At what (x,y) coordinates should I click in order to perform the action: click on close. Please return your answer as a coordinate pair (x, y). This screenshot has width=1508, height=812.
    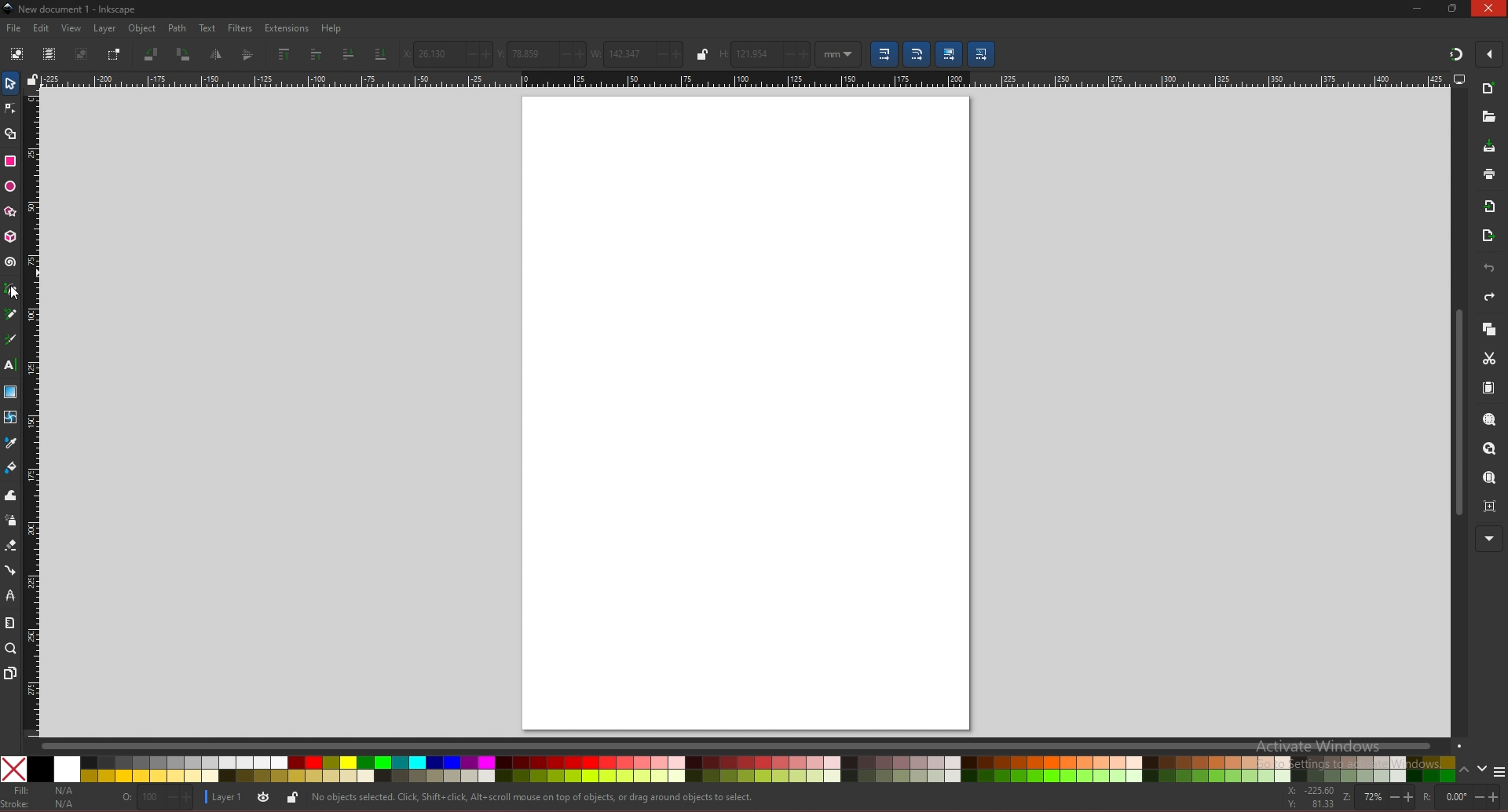
    Looking at the image, I should click on (1489, 8).